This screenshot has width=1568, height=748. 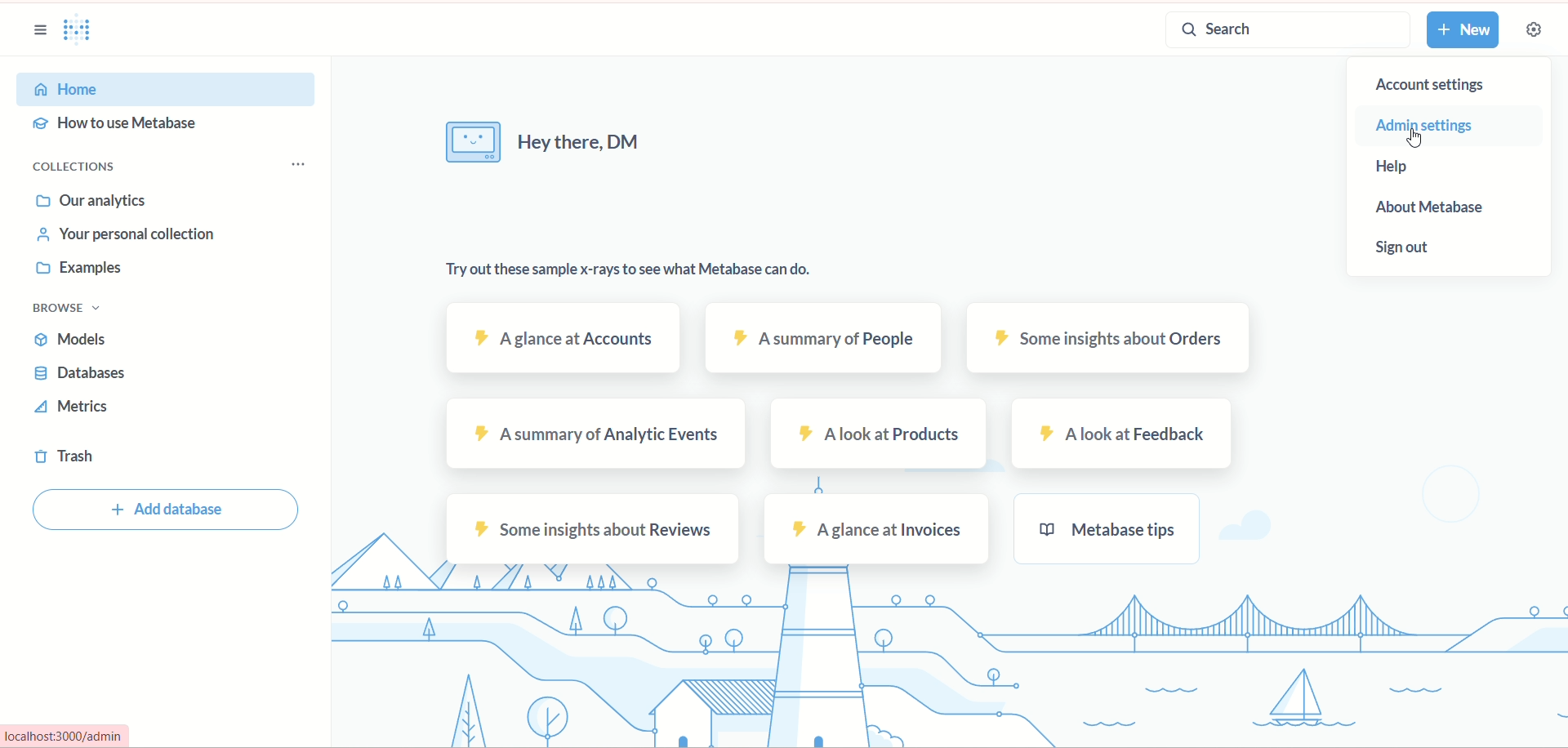 I want to click on text, so click(x=639, y=274).